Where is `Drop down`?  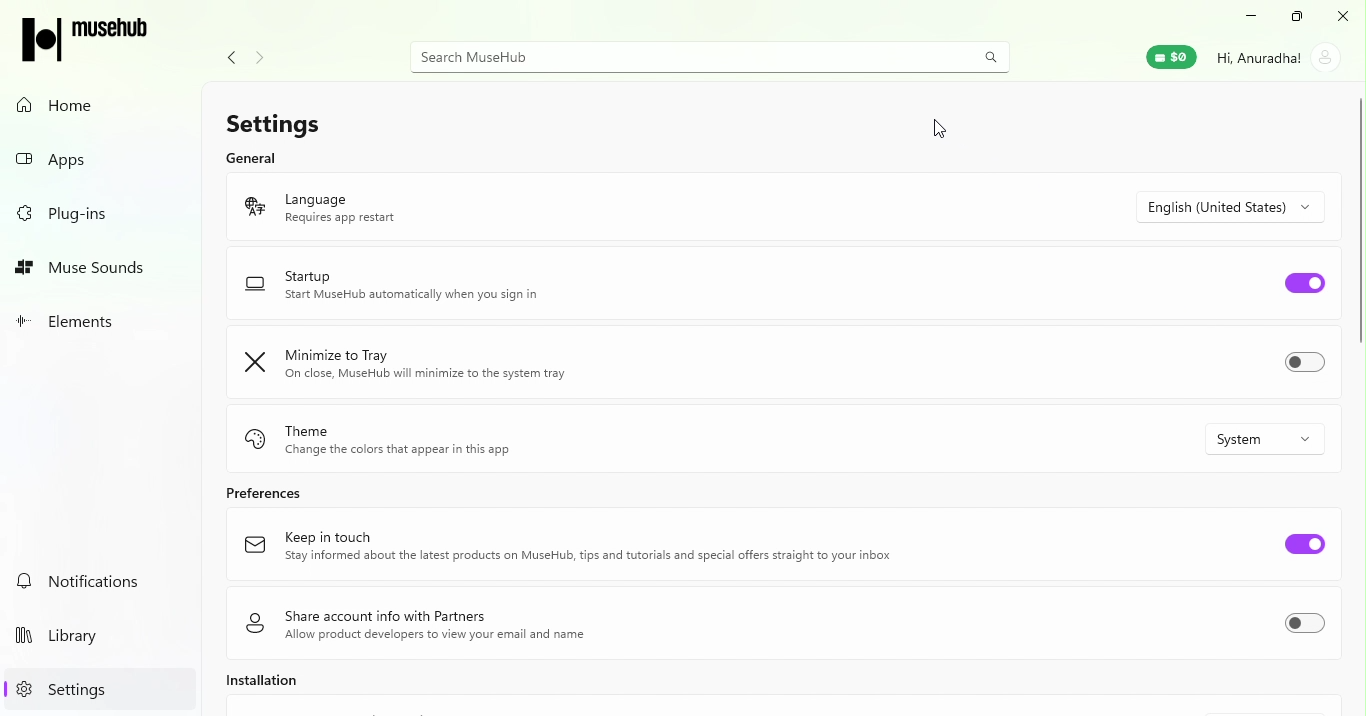
Drop down is located at coordinates (1237, 207).